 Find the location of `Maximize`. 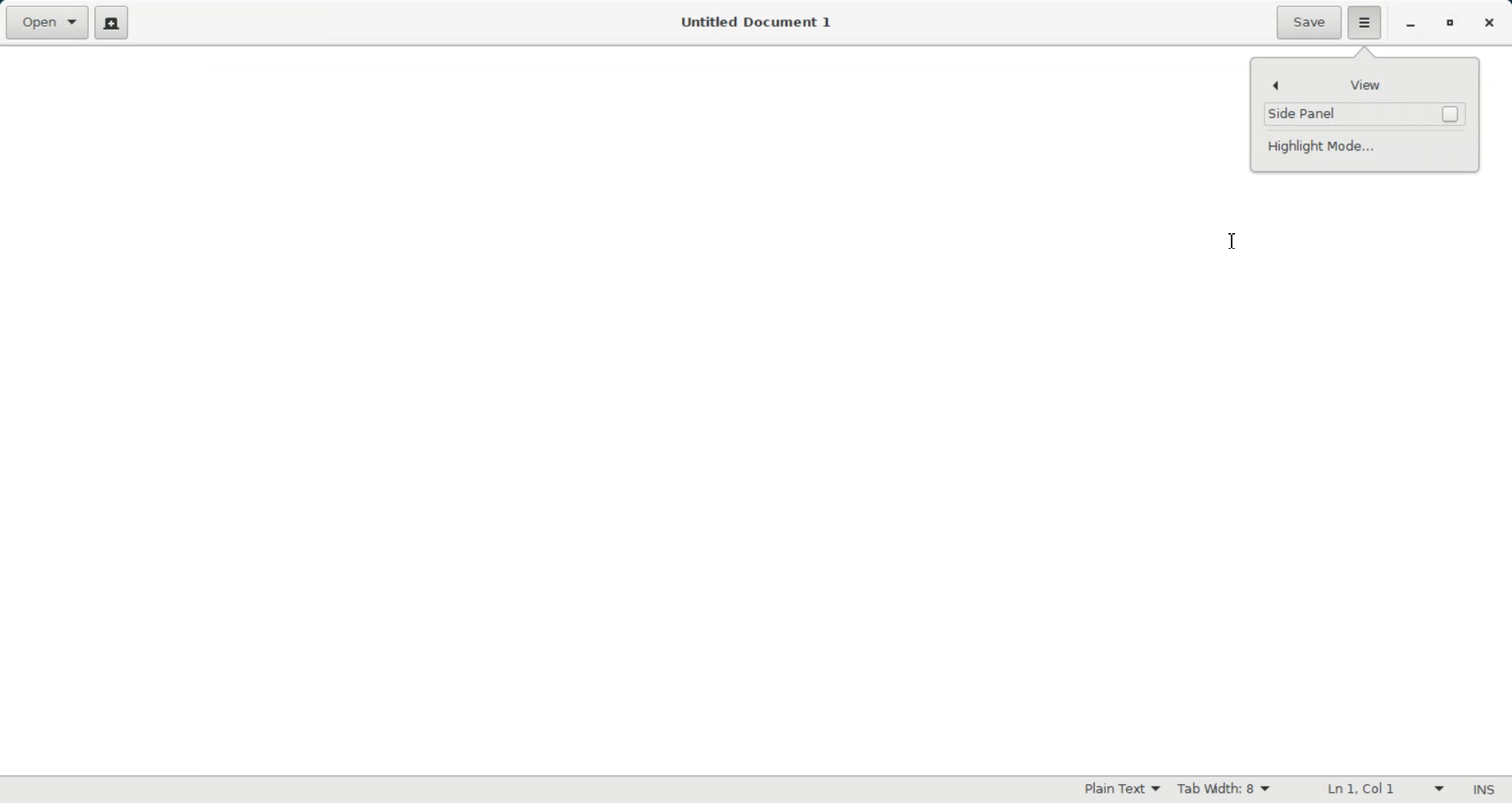

Maximize is located at coordinates (1451, 23).